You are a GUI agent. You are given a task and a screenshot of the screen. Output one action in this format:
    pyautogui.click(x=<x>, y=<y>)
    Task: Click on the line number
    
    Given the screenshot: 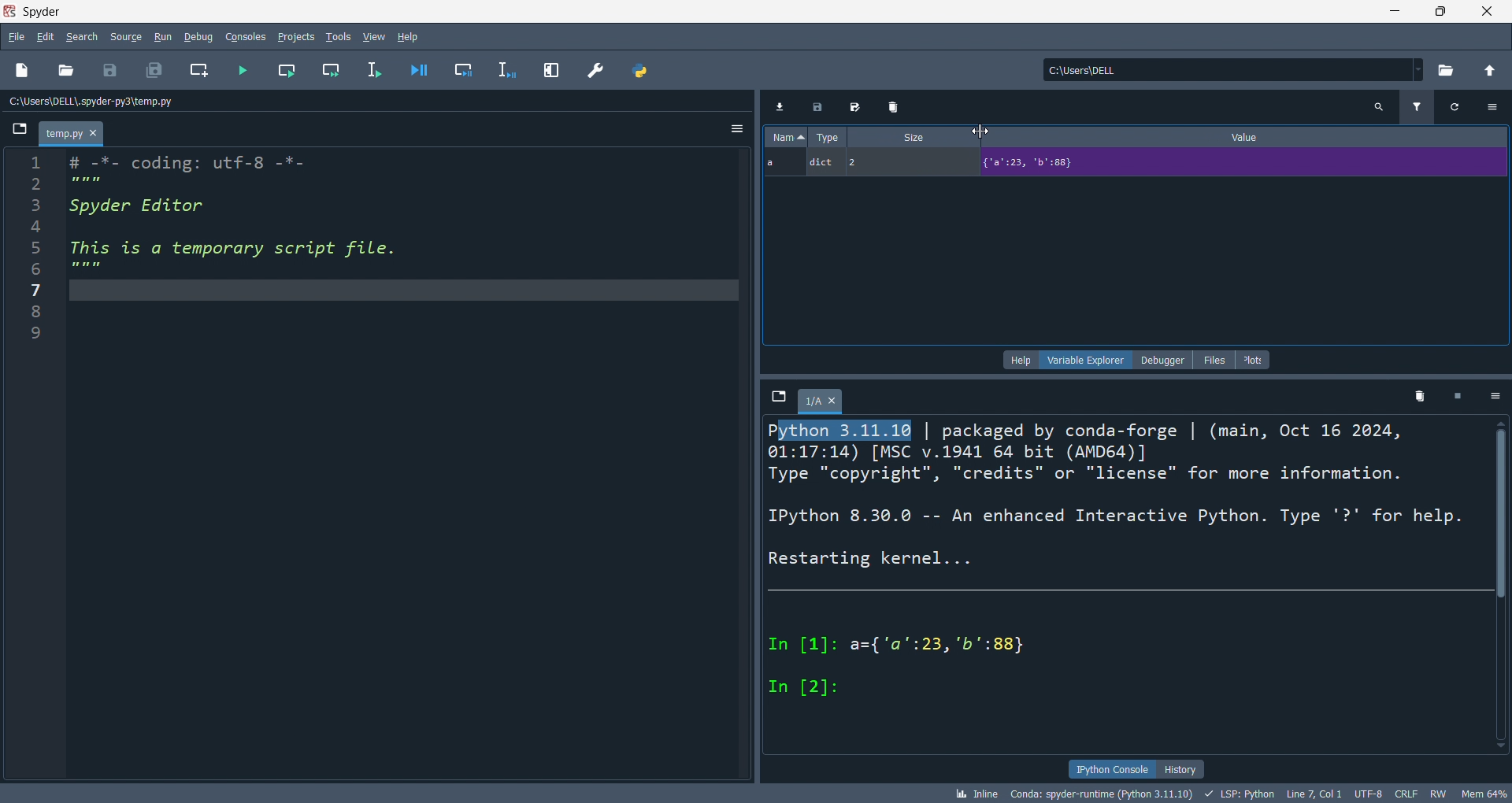 What is the action you would take?
    pyautogui.click(x=33, y=462)
    